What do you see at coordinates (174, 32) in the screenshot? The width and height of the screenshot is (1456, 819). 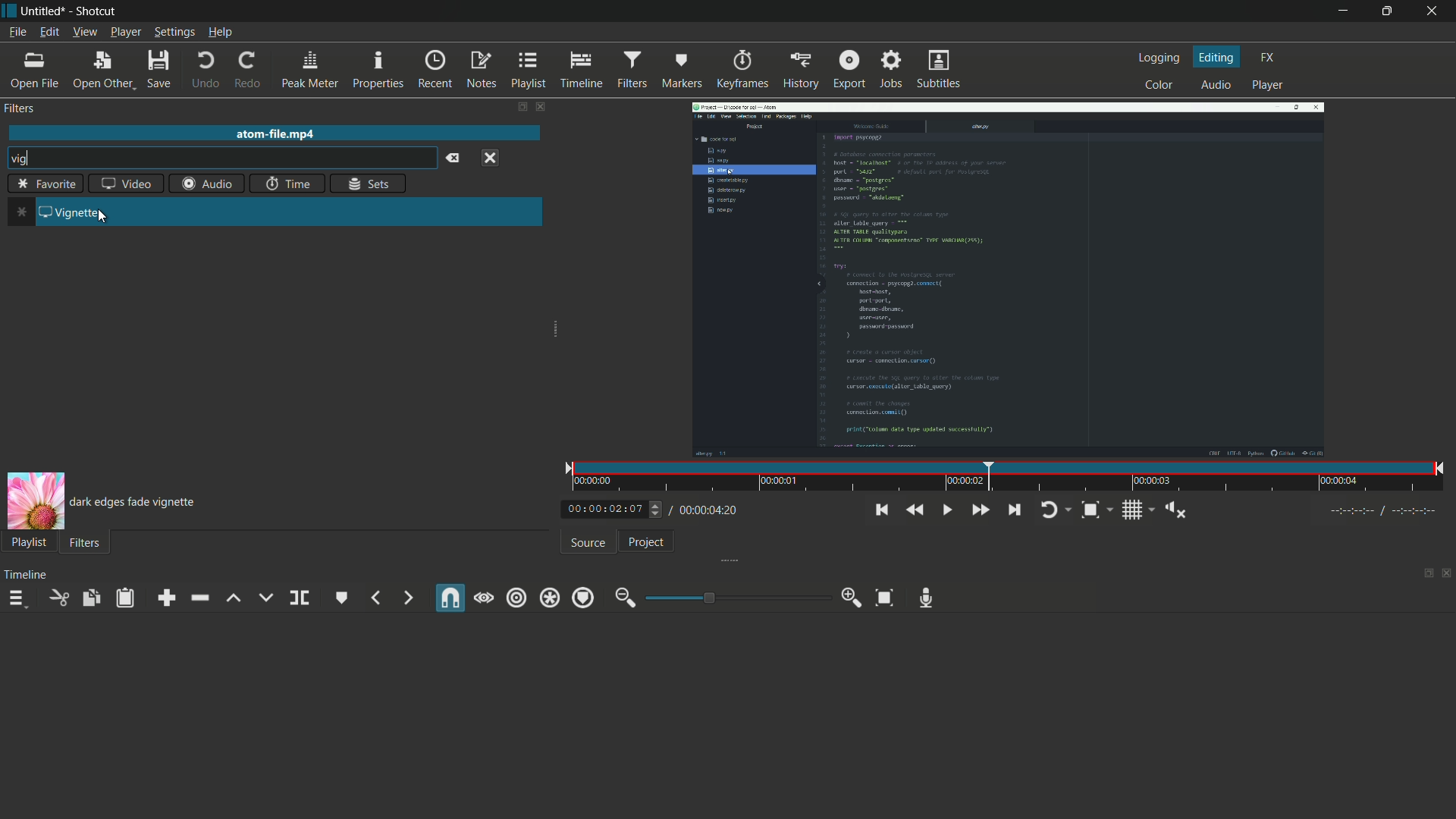 I see `settings menu` at bounding box center [174, 32].